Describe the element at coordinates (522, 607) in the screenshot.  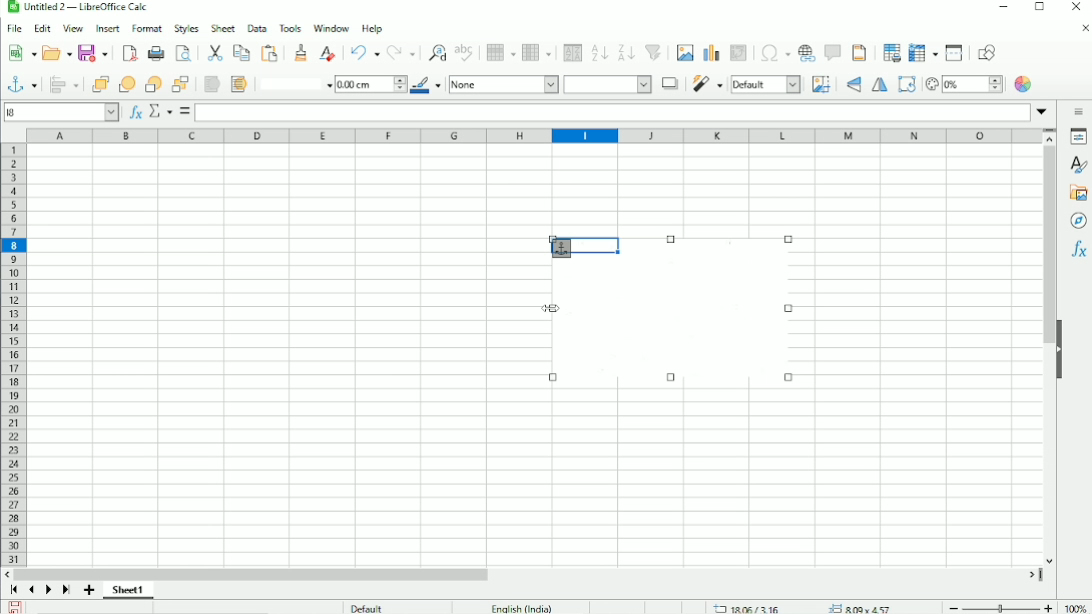
I see `Language` at that location.